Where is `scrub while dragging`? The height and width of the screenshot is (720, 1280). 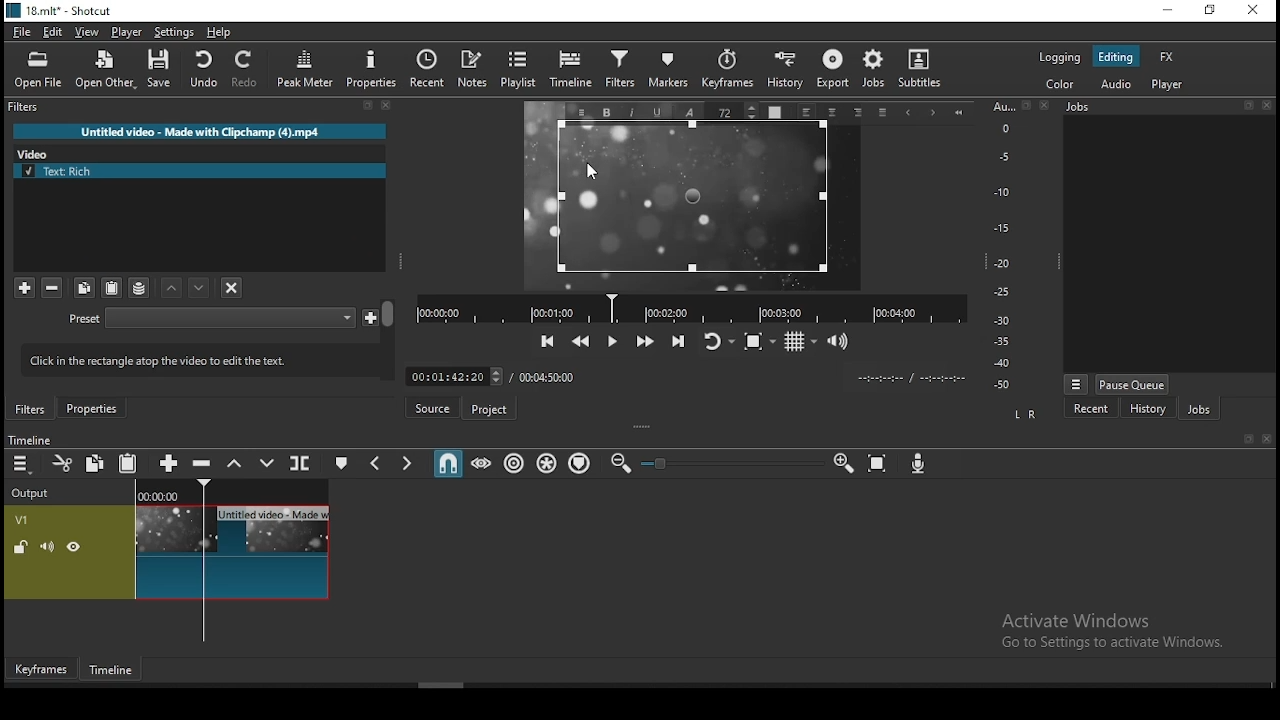
scrub while dragging is located at coordinates (482, 462).